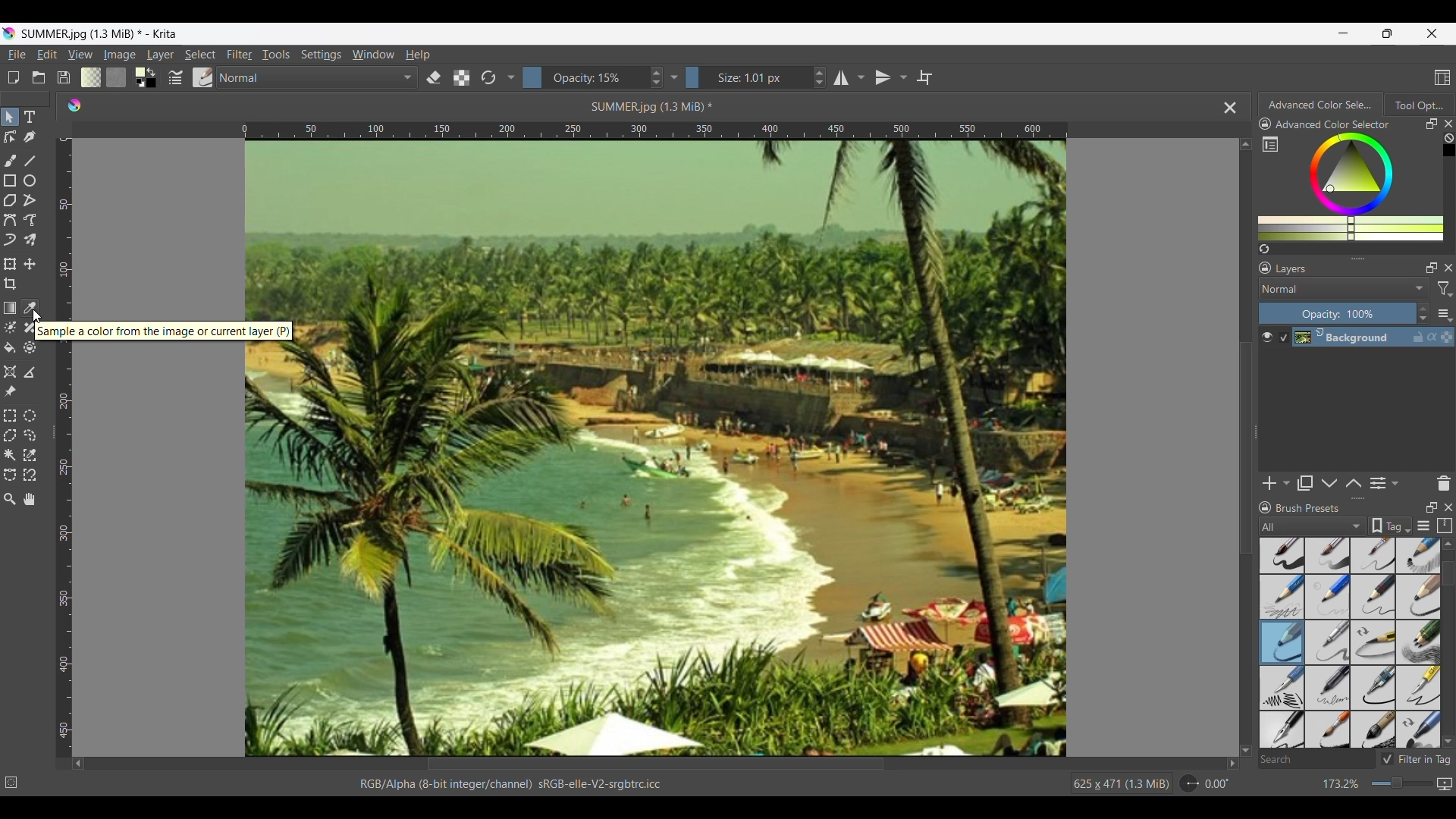 The image size is (1456, 819). I want to click on RGB/Alpha (8-bit integer/channel) sRGB-elle-V2-srgbtrc.icc, so click(516, 783).